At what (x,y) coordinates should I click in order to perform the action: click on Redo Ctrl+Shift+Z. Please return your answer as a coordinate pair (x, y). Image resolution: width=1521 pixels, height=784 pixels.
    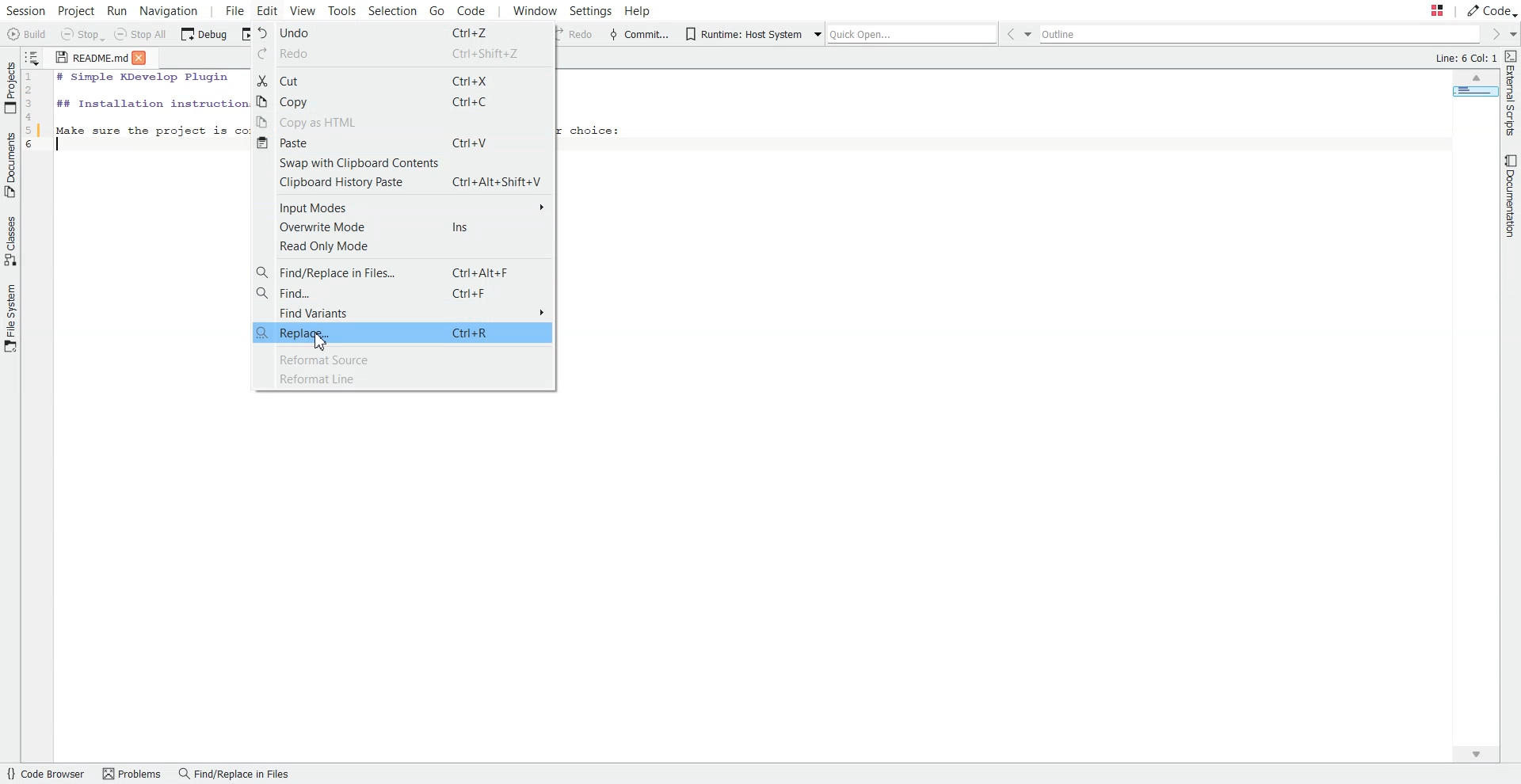
    Looking at the image, I should click on (401, 54).